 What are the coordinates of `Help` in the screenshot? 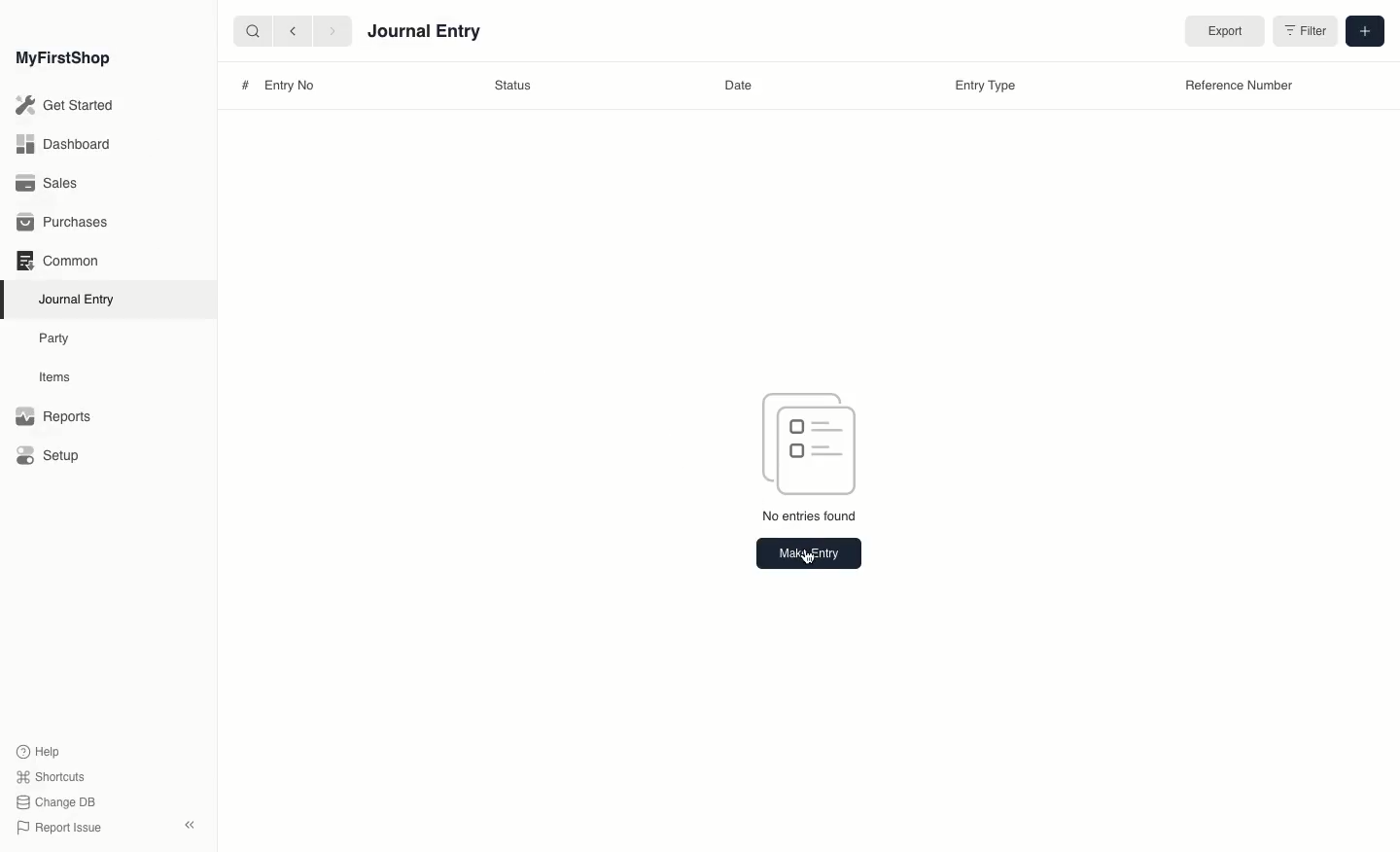 It's located at (36, 750).